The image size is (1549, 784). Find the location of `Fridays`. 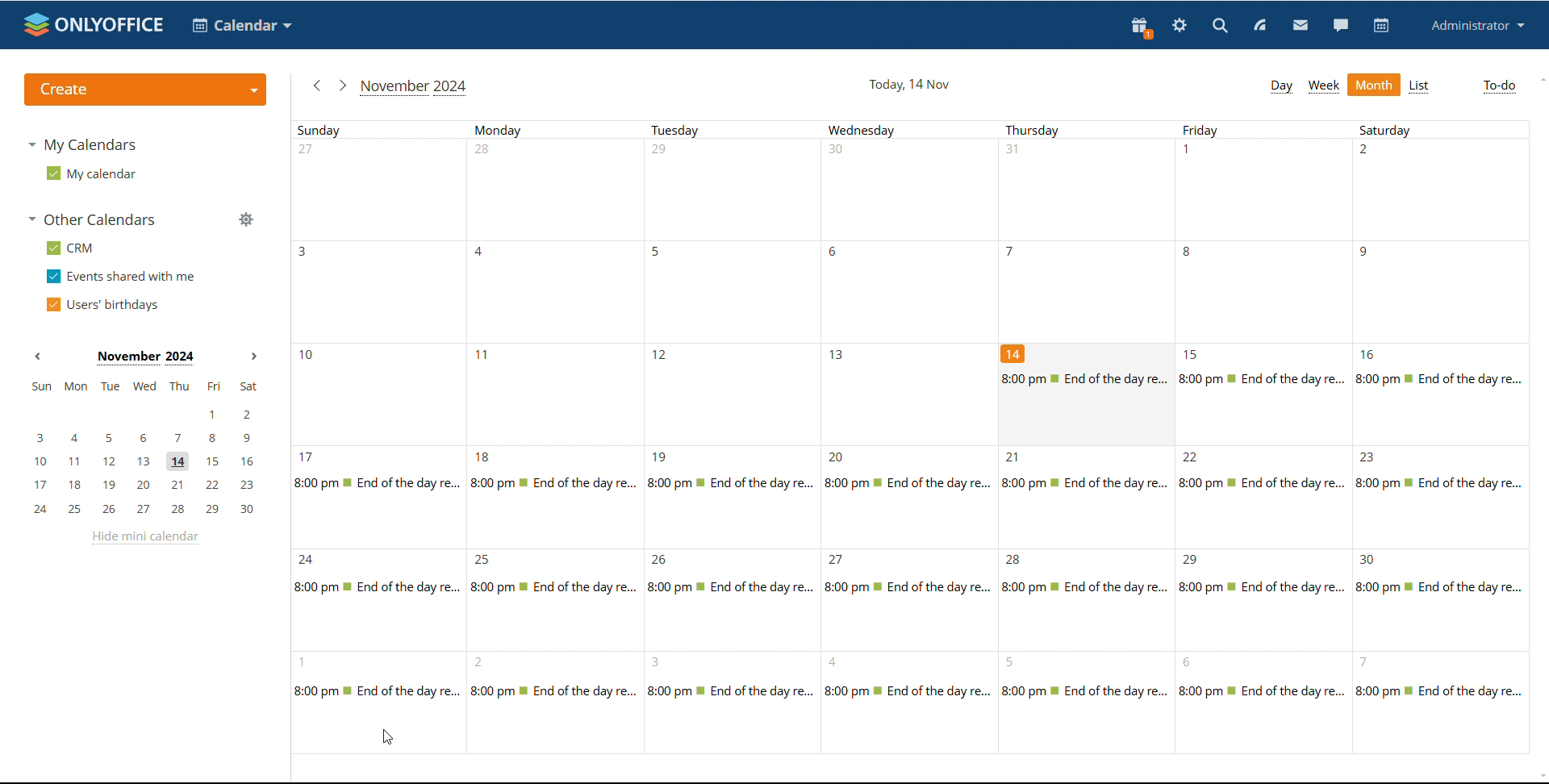

Fridays is located at coordinates (1263, 384).